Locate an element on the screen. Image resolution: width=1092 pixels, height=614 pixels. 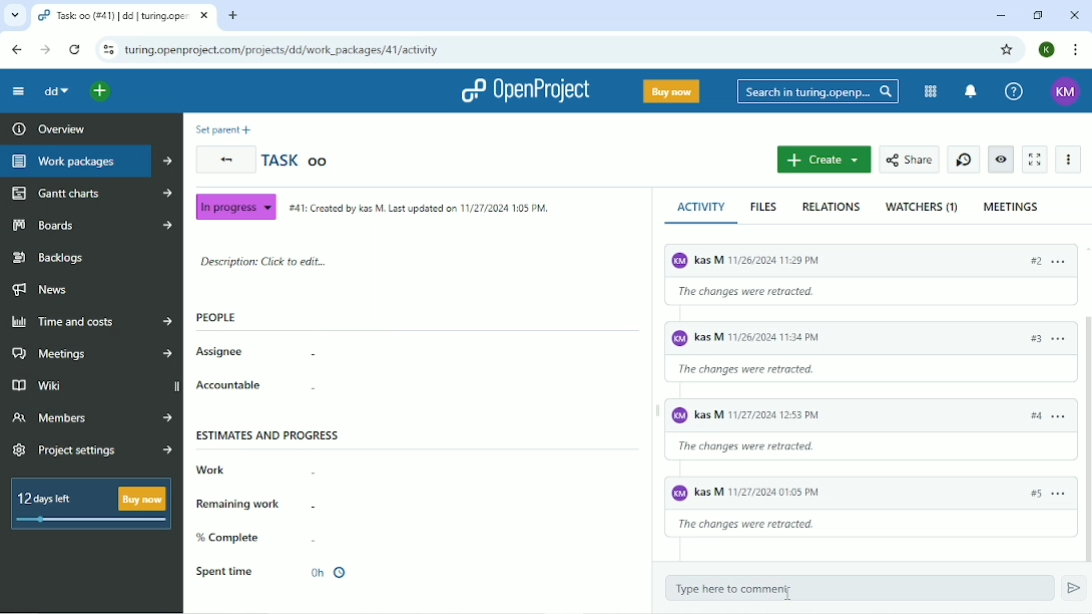
Back is located at coordinates (226, 160).